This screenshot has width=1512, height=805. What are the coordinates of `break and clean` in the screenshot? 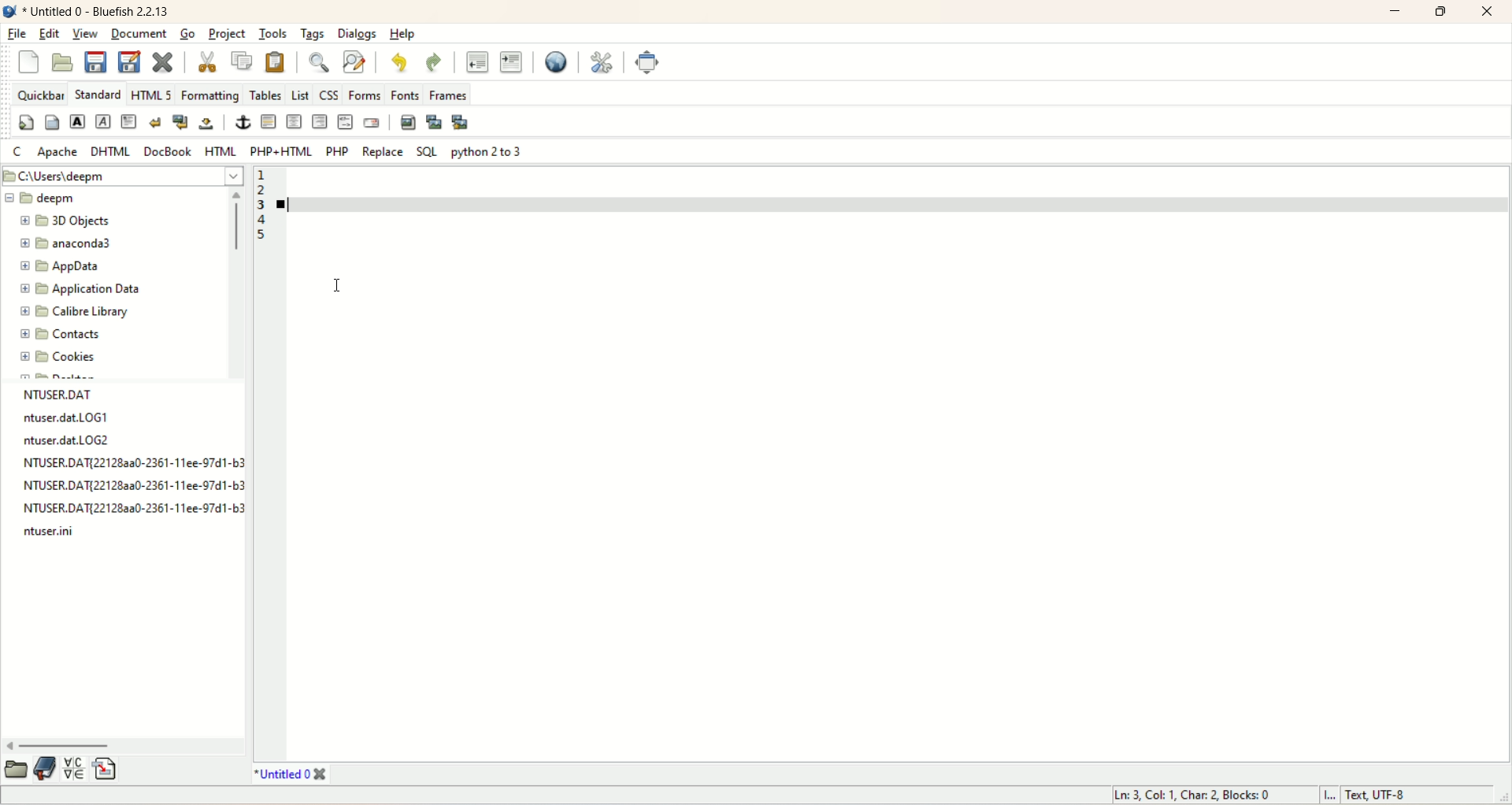 It's located at (182, 124).